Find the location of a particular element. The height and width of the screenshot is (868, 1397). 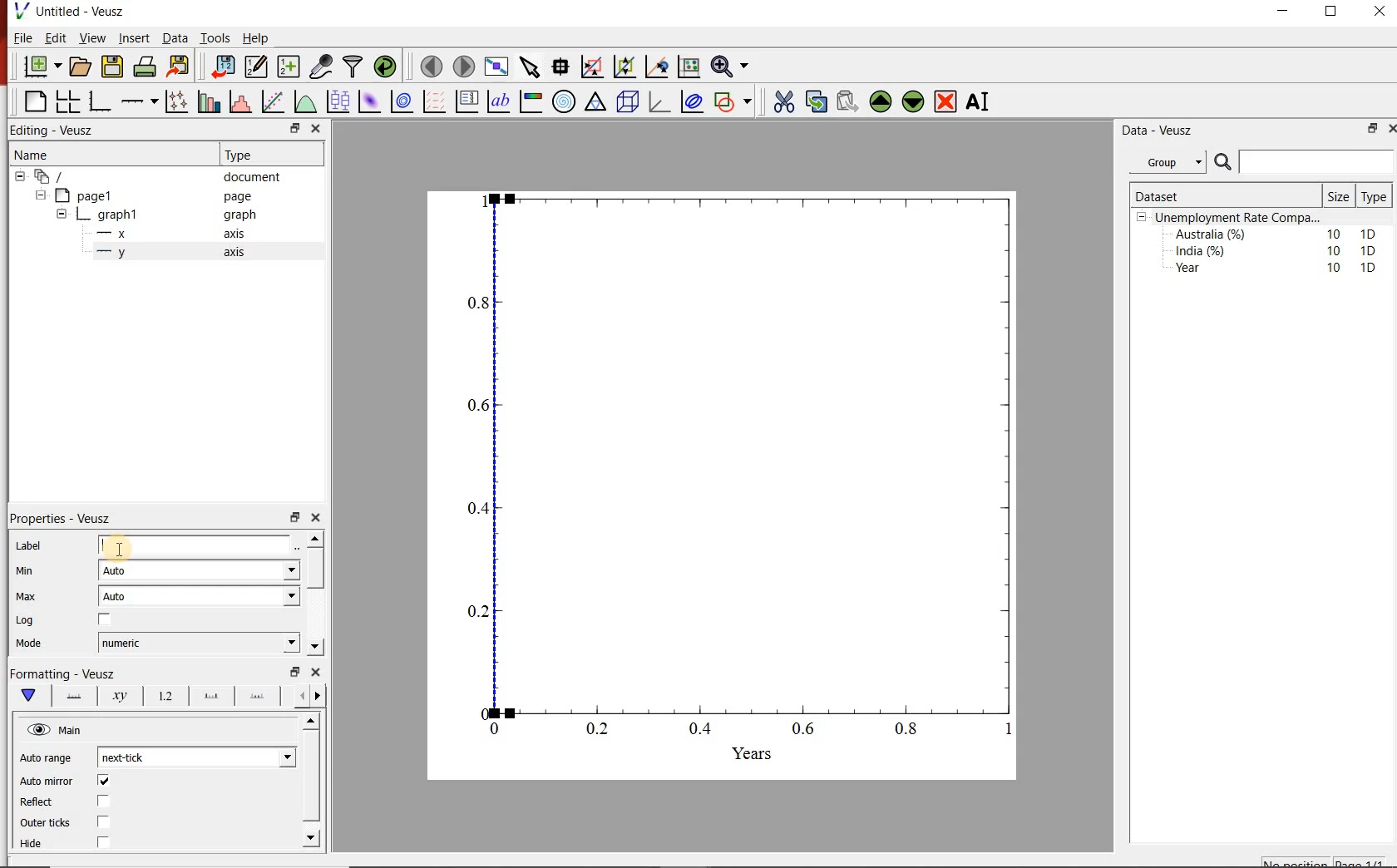

Mode is located at coordinates (41, 645).